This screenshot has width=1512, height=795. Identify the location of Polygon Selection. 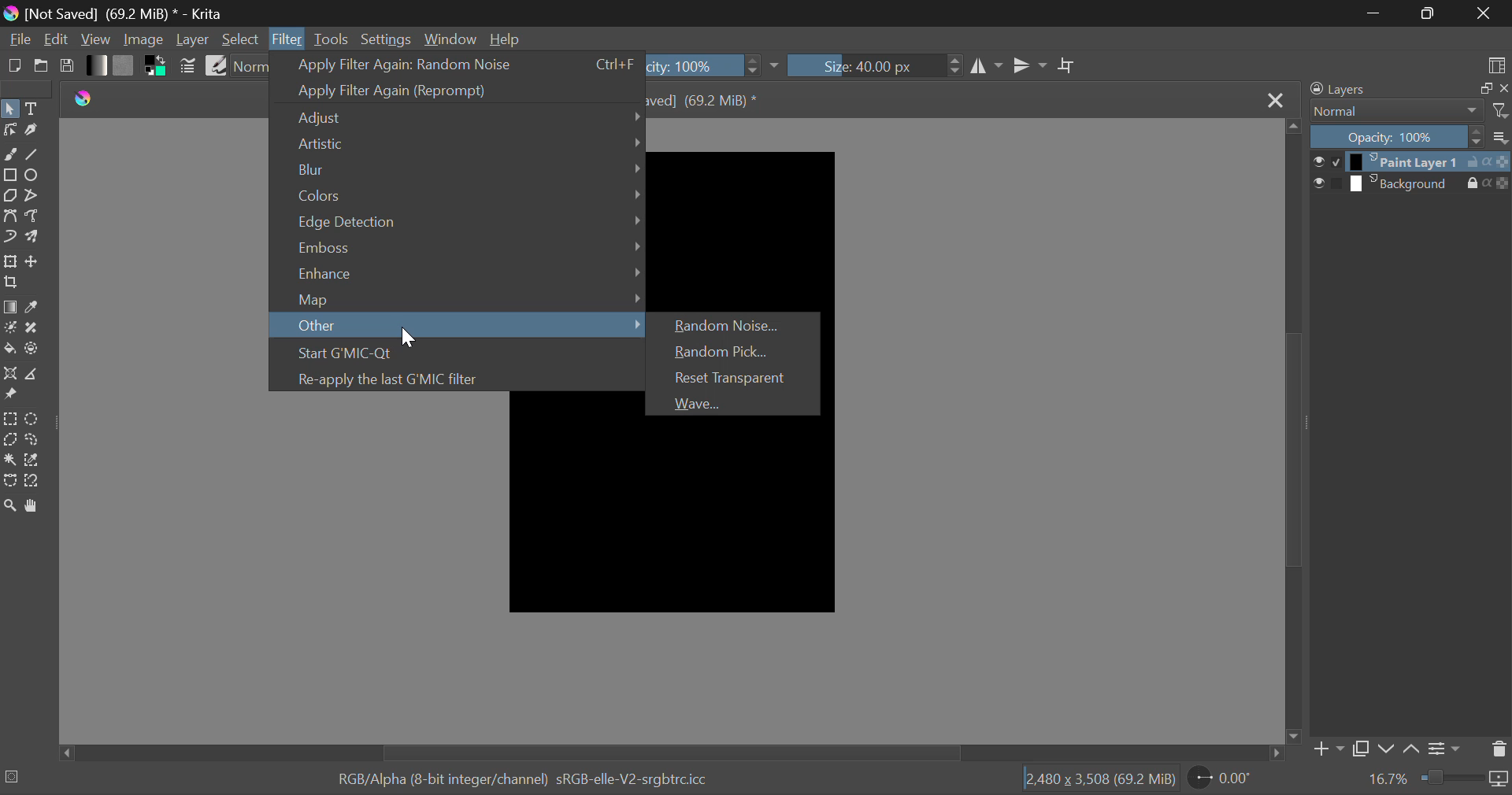
(9, 440).